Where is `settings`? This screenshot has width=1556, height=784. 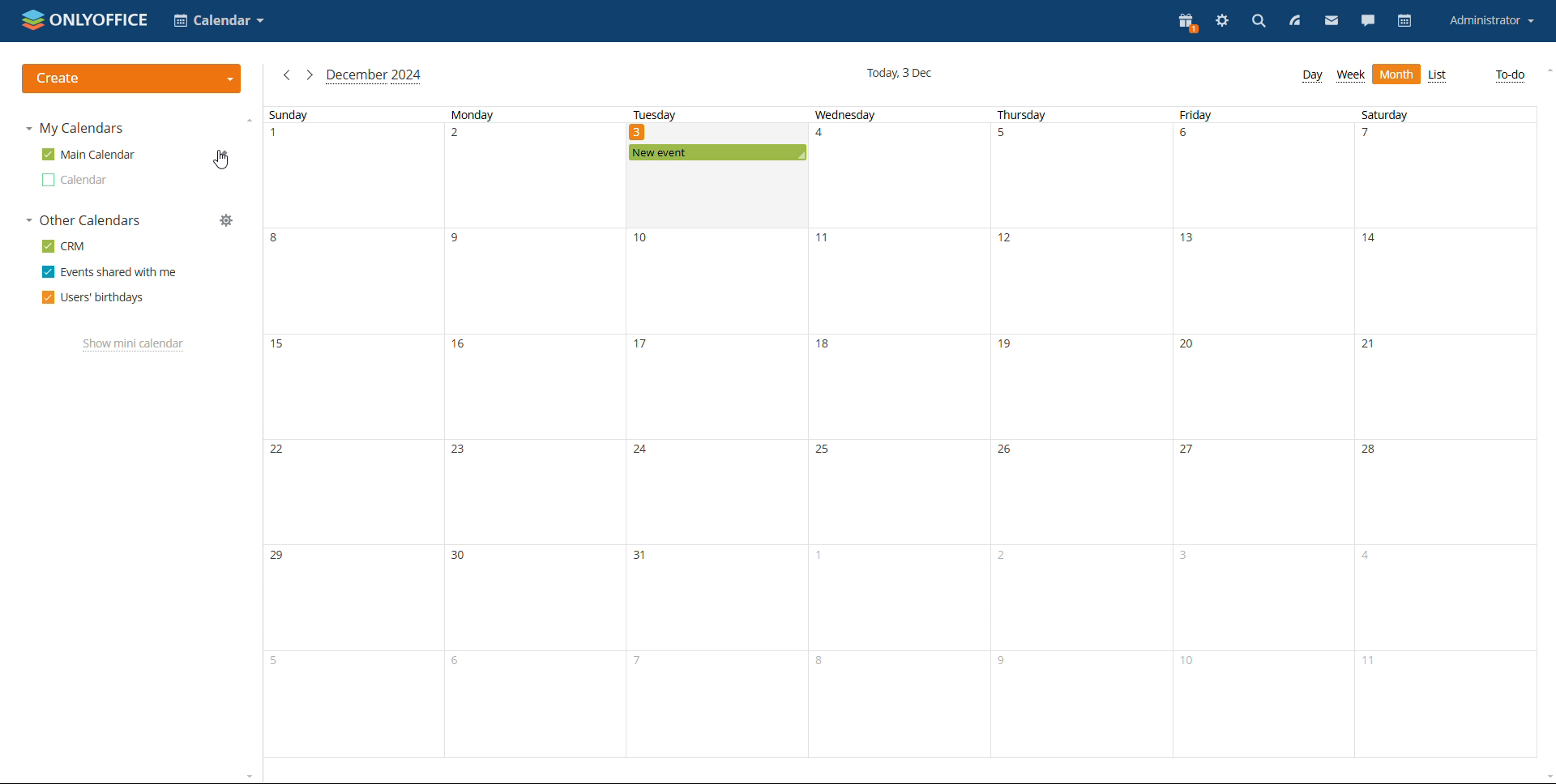
settings is located at coordinates (1223, 21).